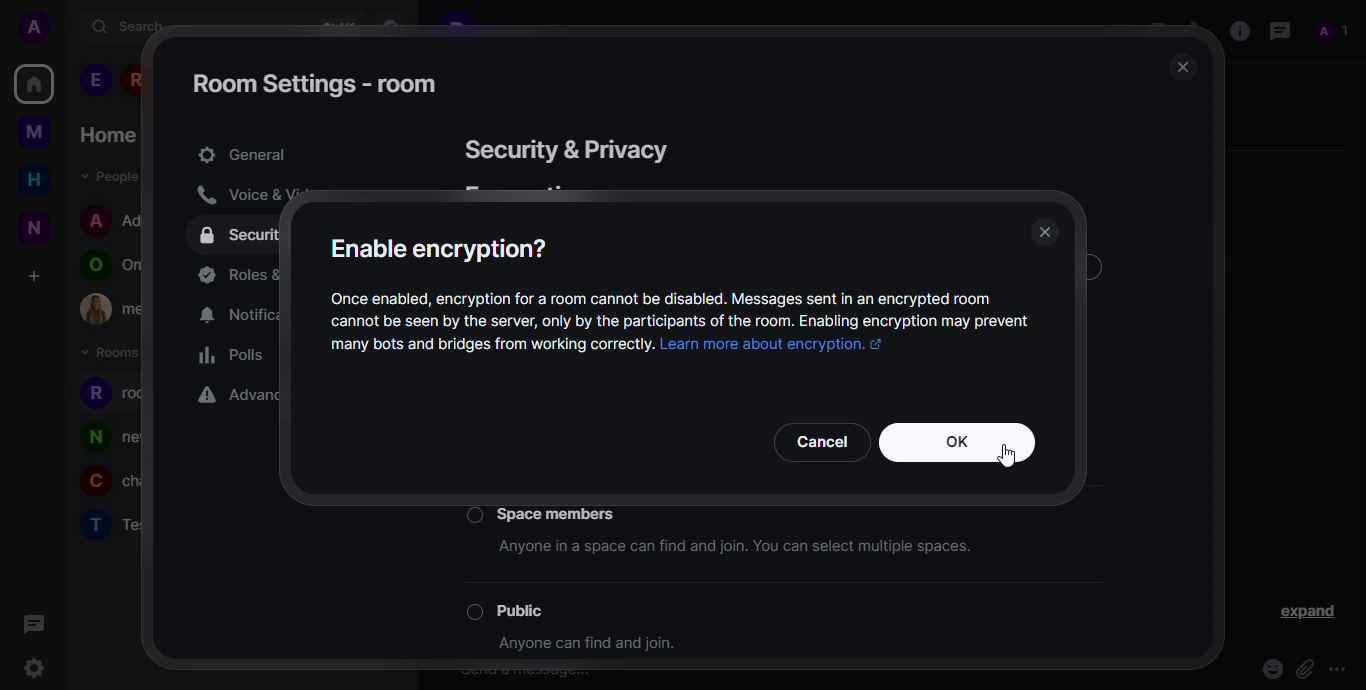 The image size is (1366, 690). Describe the element at coordinates (956, 444) in the screenshot. I see `ok` at that location.